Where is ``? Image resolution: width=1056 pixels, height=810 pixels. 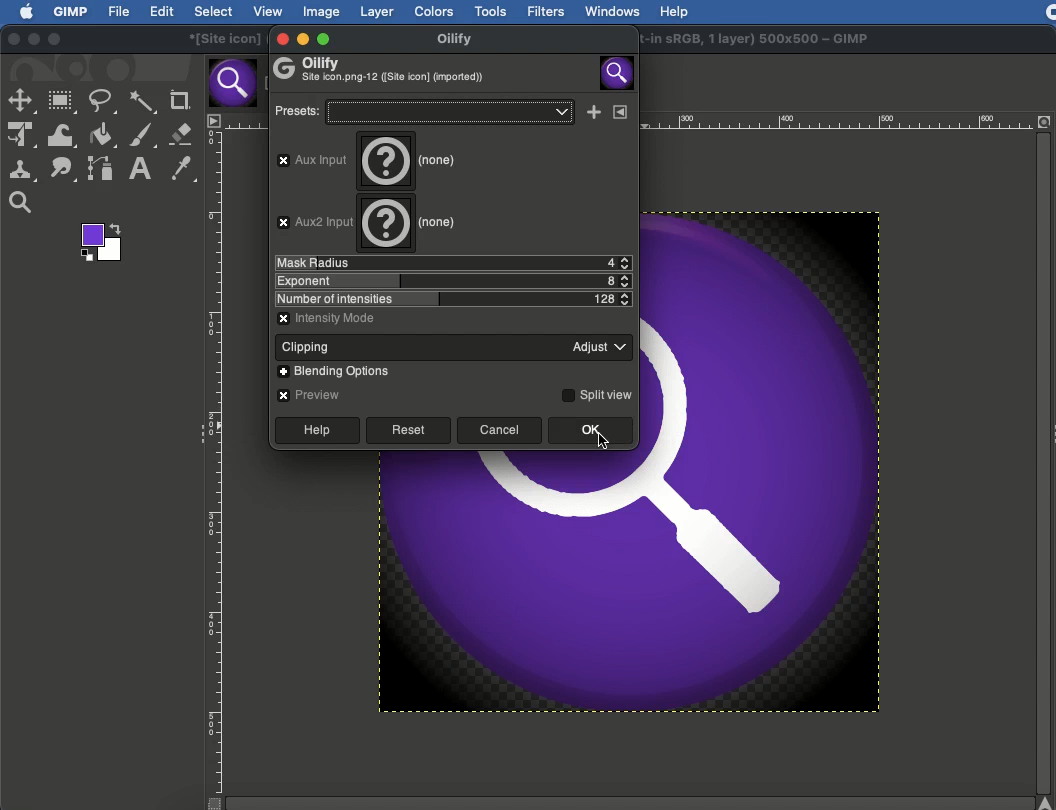
 is located at coordinates (215, 462).